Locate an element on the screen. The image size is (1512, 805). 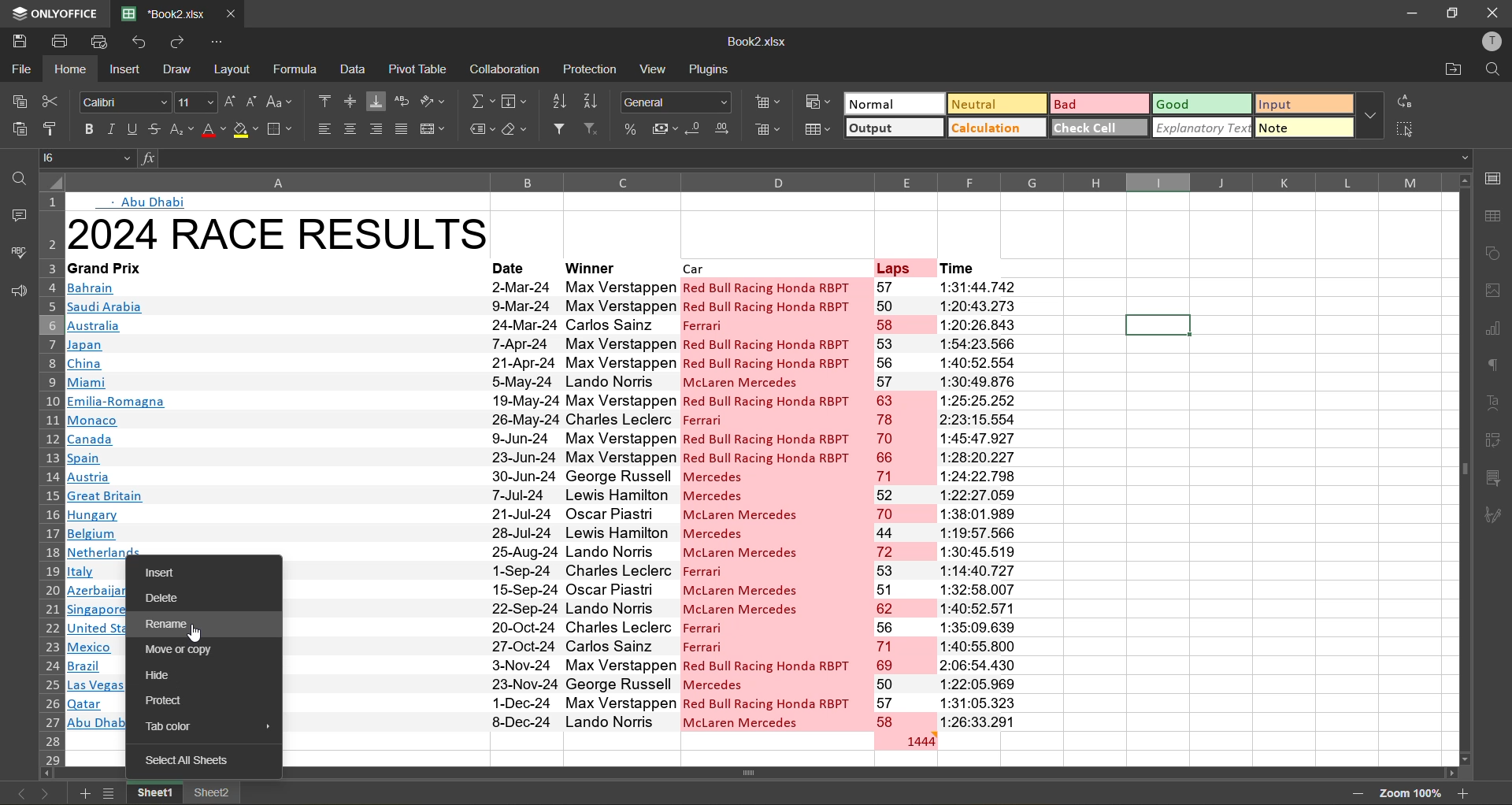
title is located at coordinates (276, 230).